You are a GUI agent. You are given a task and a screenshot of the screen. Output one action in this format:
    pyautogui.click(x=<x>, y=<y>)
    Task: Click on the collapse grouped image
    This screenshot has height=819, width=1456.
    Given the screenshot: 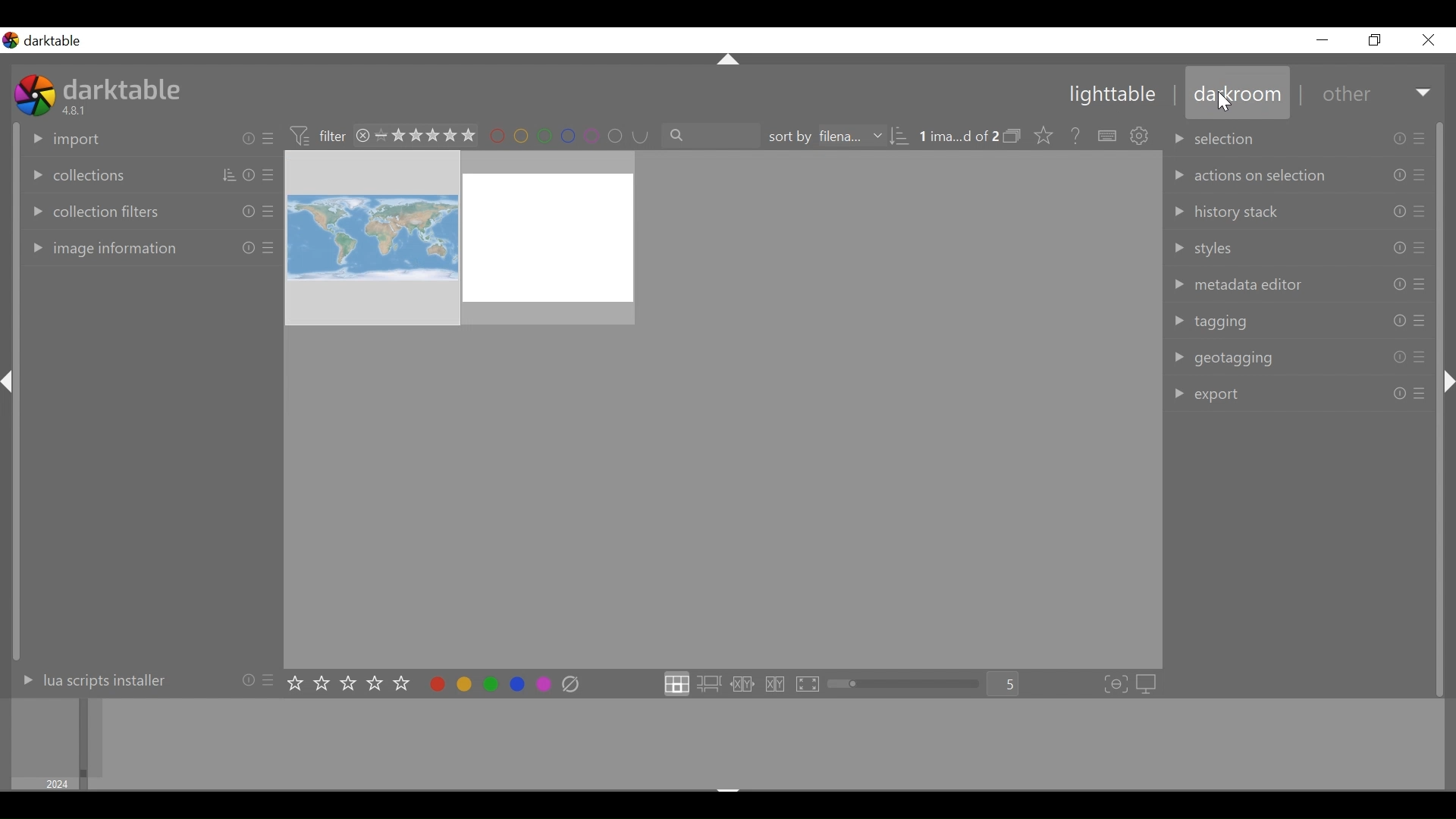 What is the action you would take?
    pyautogui.click(x=1014, y=136)
    